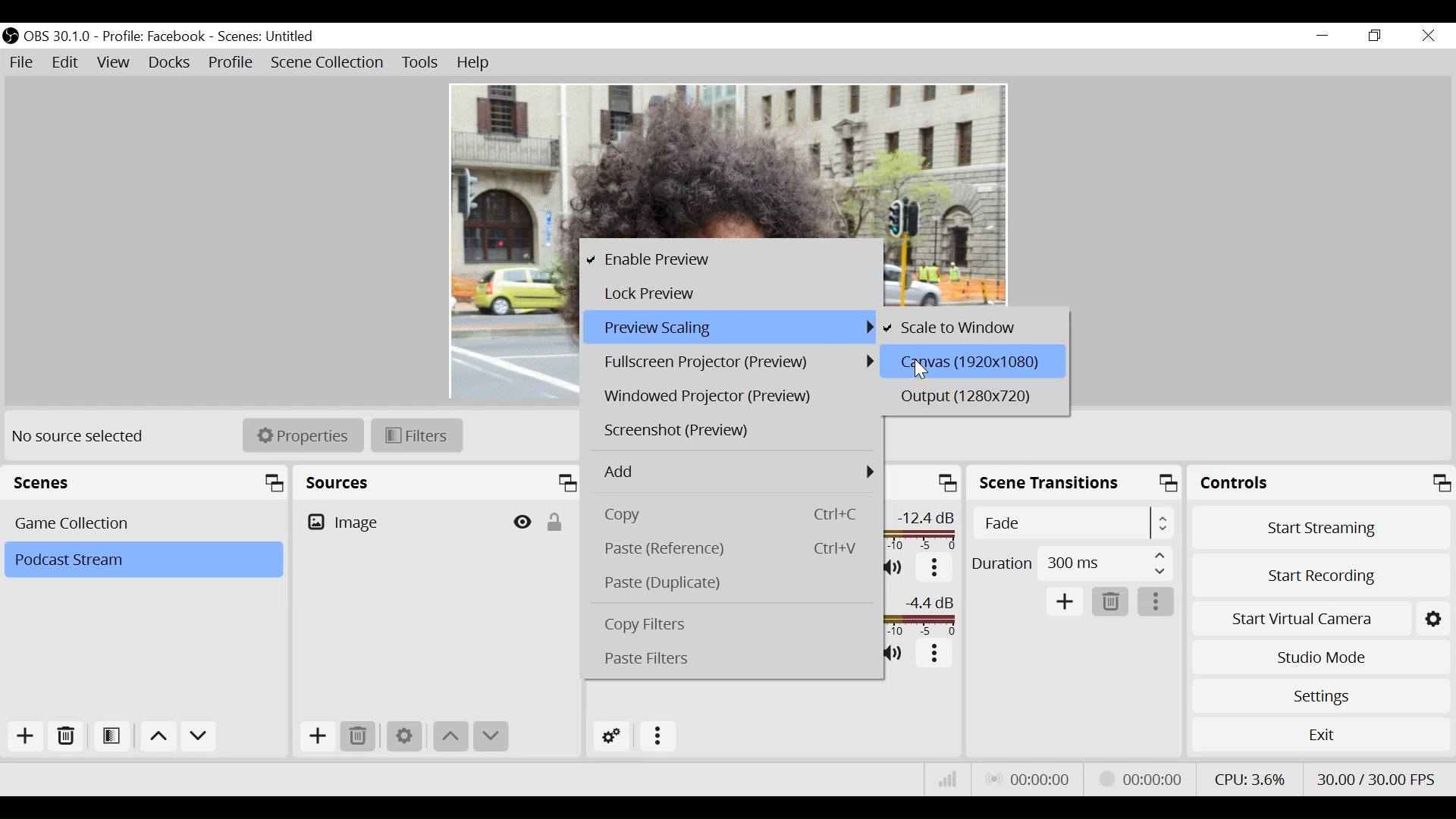 The image size is (1456, 819). I want to click on Delete, so click(65, 736).